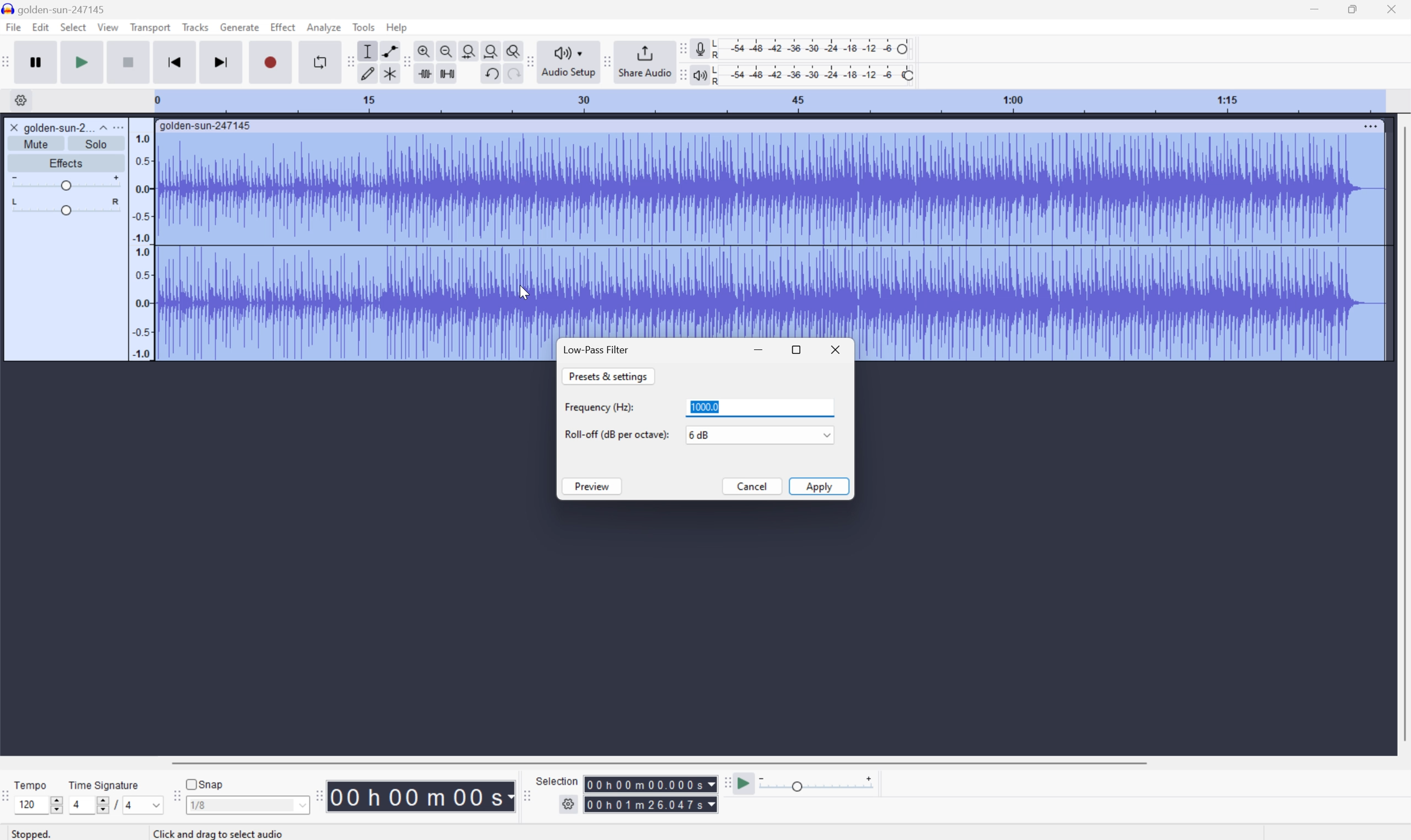 Image resolution: width=1411 pixels, height=840 pixels. Describe the element at coordinates (529, 62) in the screenshot. I see `Audacity audio setup toolbar` at that location.